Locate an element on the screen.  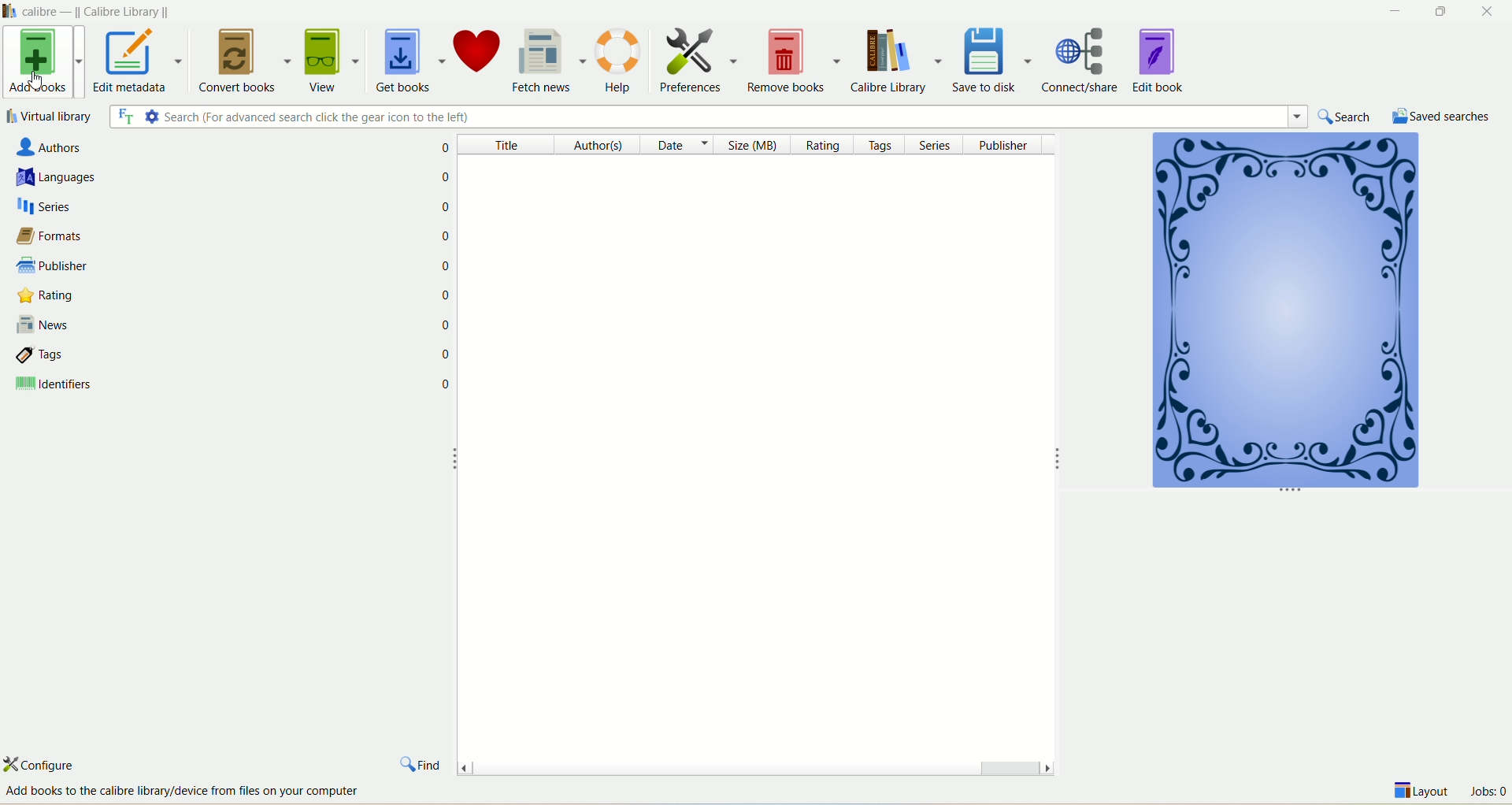
minimize is located at coordinates (1392, 11).